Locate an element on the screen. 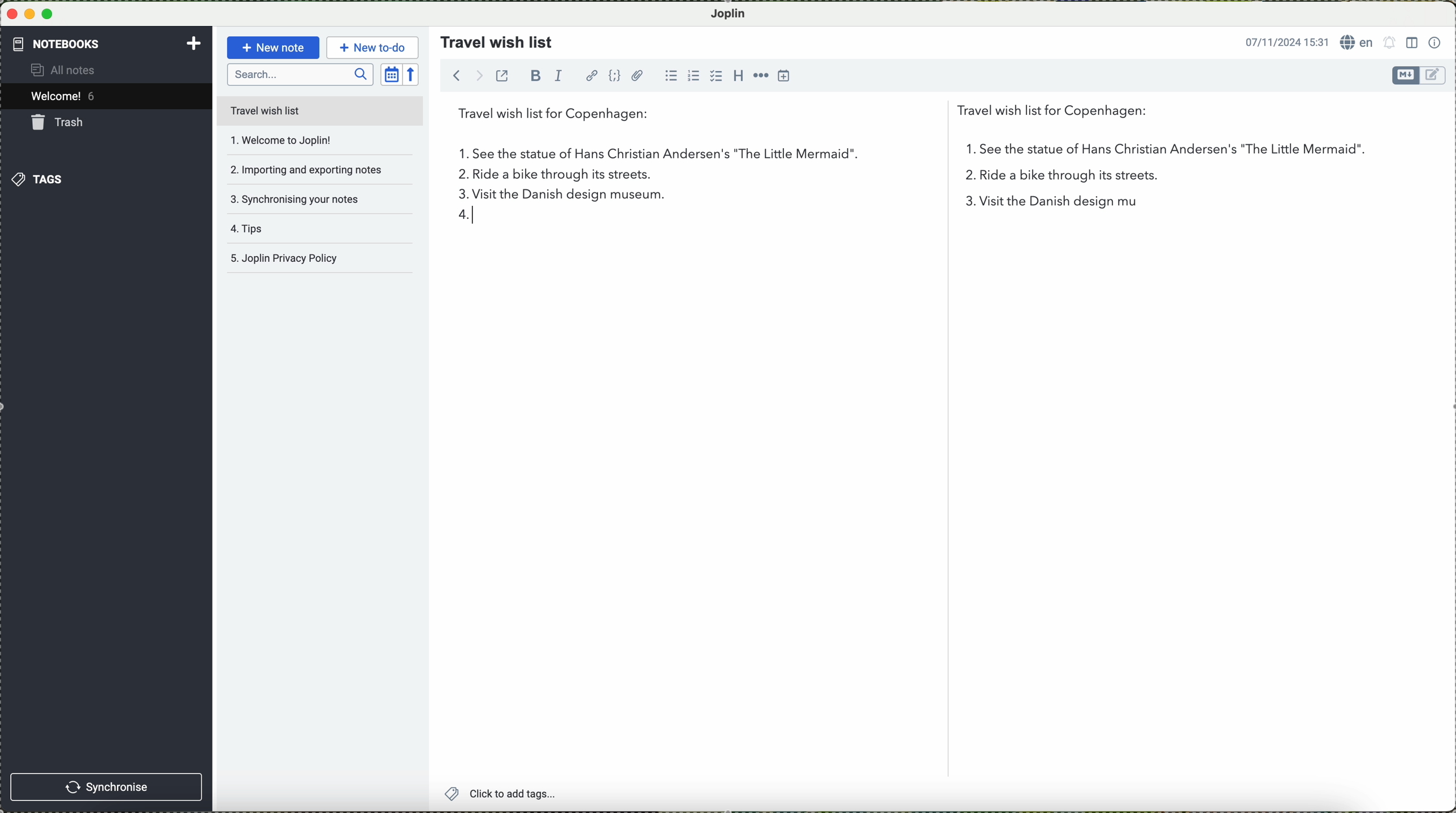  new note button is located at coordinates (271, 47).